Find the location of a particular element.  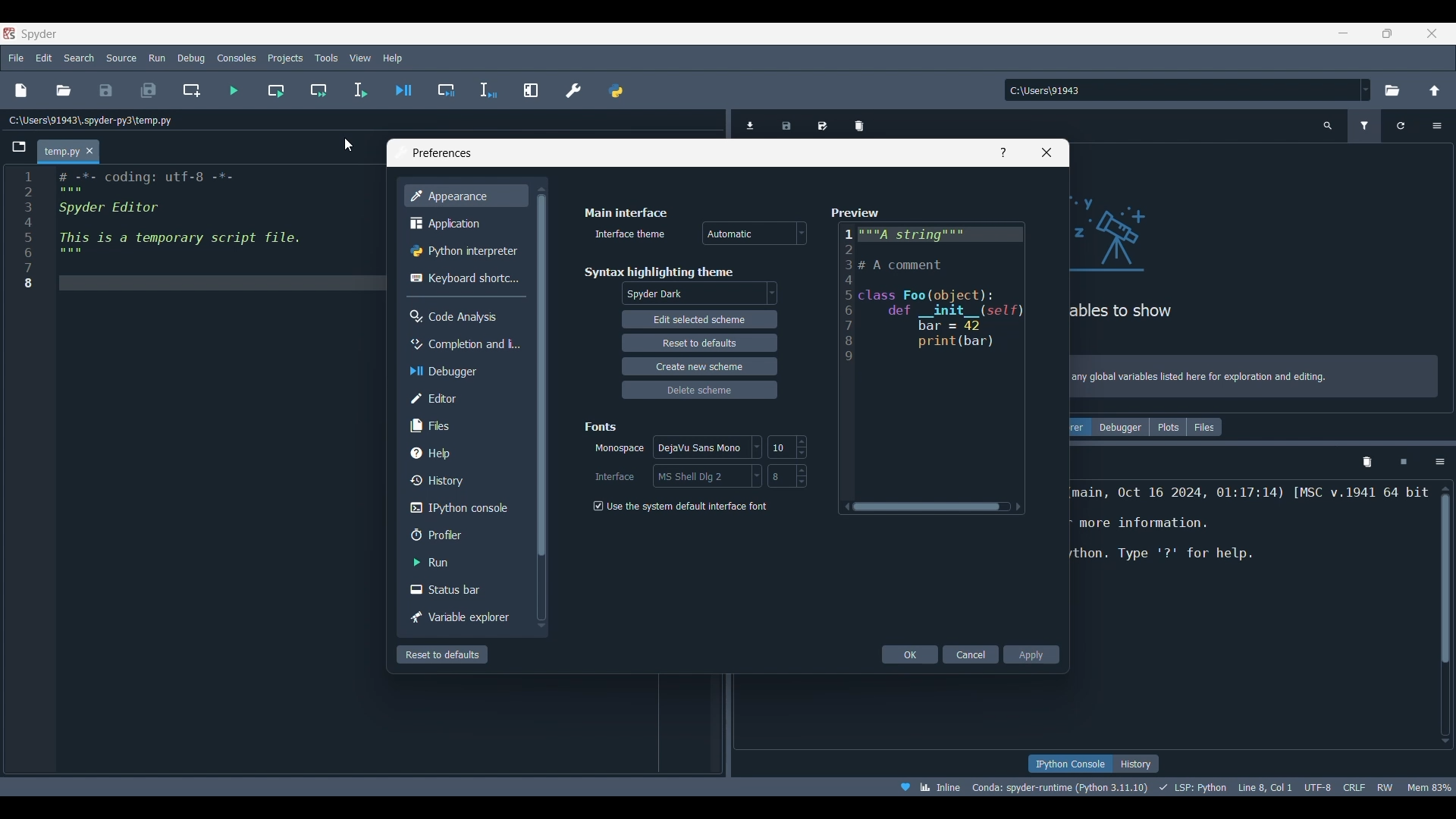

Use the system default interface font is located at coordinates (681, 505).